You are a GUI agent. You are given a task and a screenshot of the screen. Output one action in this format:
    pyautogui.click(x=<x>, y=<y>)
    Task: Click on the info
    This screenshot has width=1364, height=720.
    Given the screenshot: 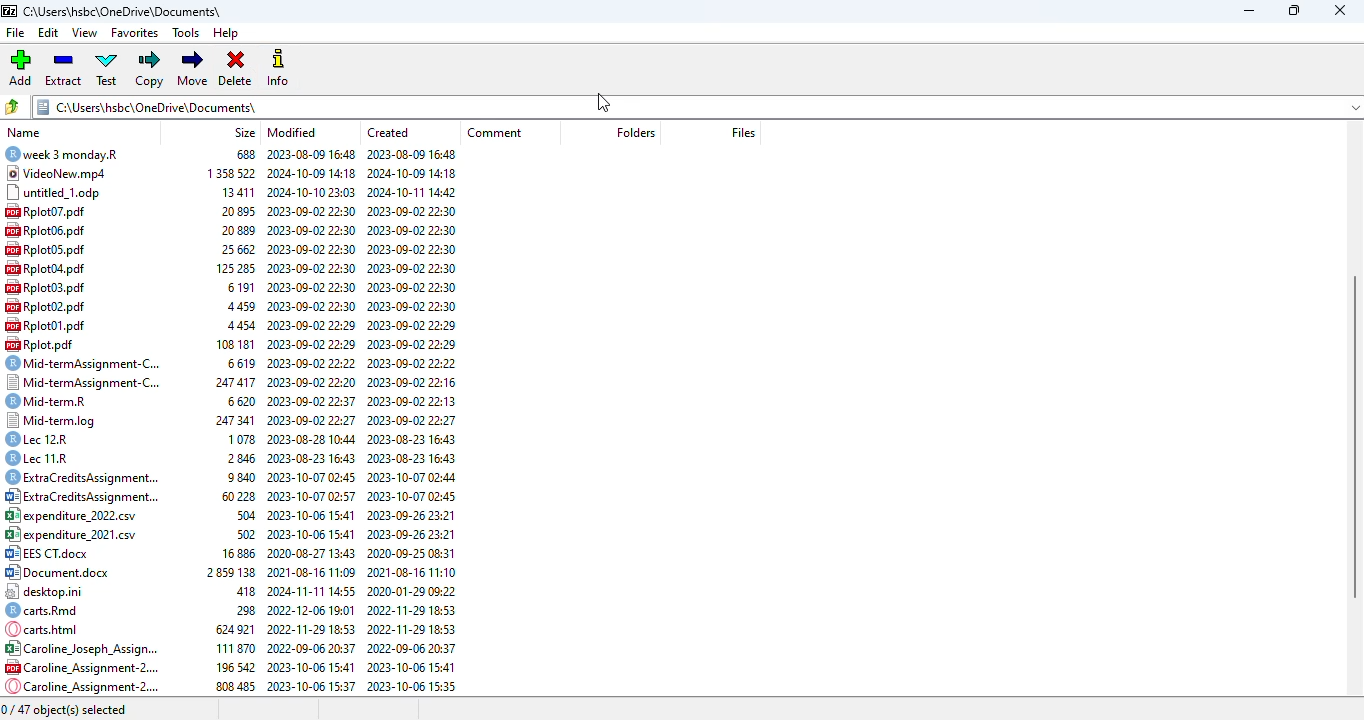 What is the action you would take?
    pyautogui.click(x=280, y=67)
    